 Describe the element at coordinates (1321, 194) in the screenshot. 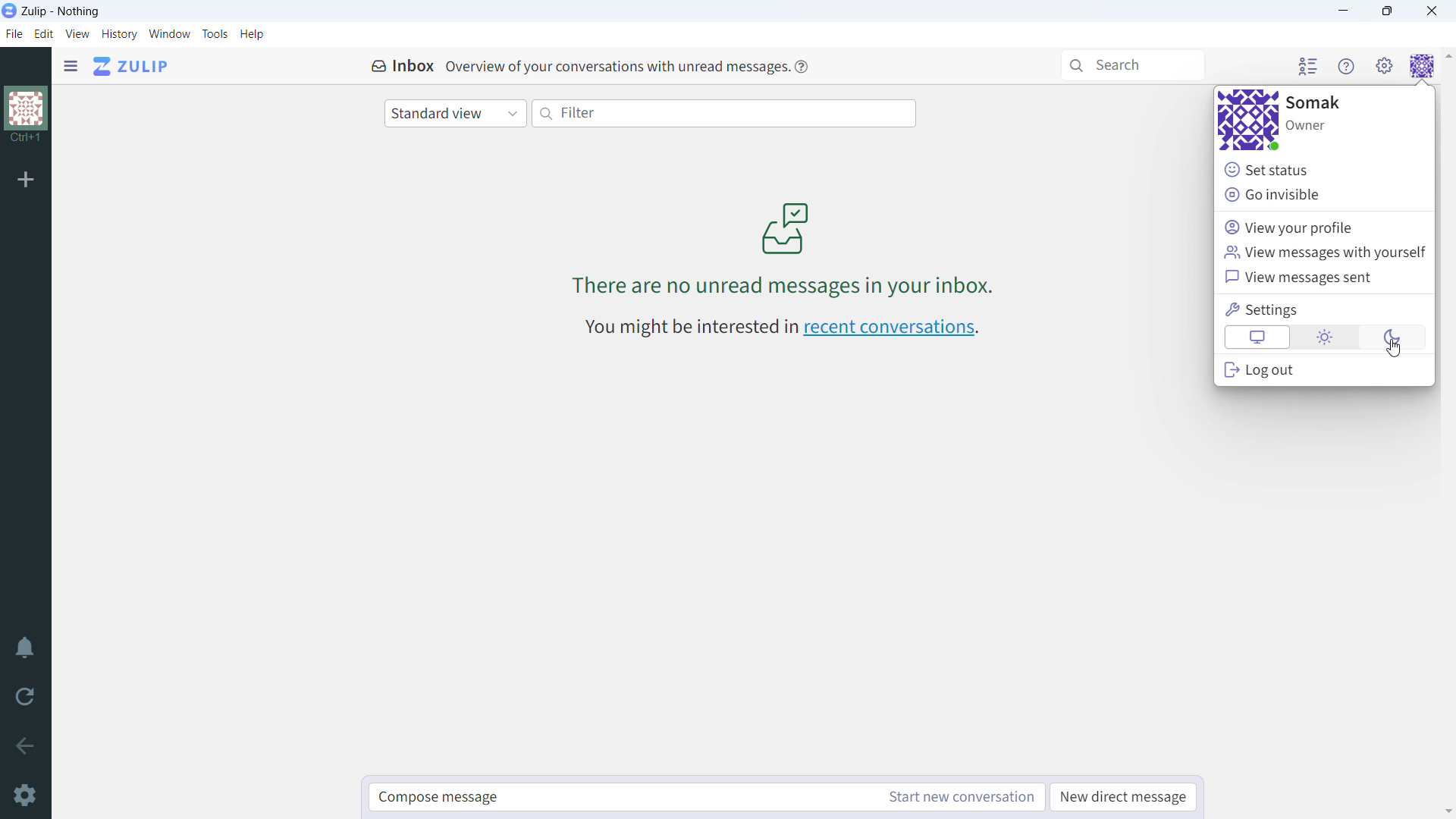

I see `go invisible` at that location.